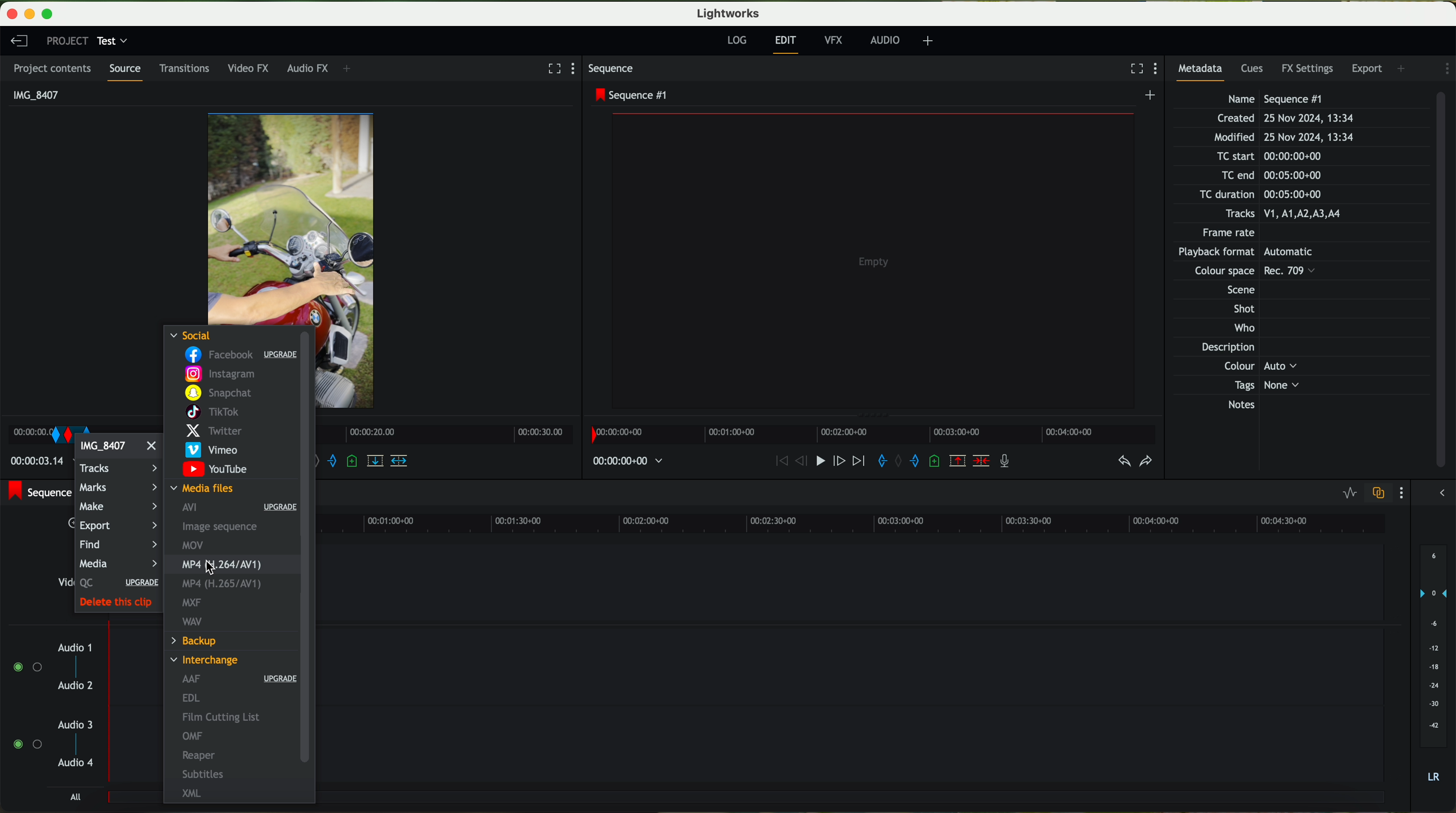 The width and height of the screenshot is (1456, 813). What do you see at coordinates (128, 72) in the screenshot?
I see `source` at bounding box center [128, 72].